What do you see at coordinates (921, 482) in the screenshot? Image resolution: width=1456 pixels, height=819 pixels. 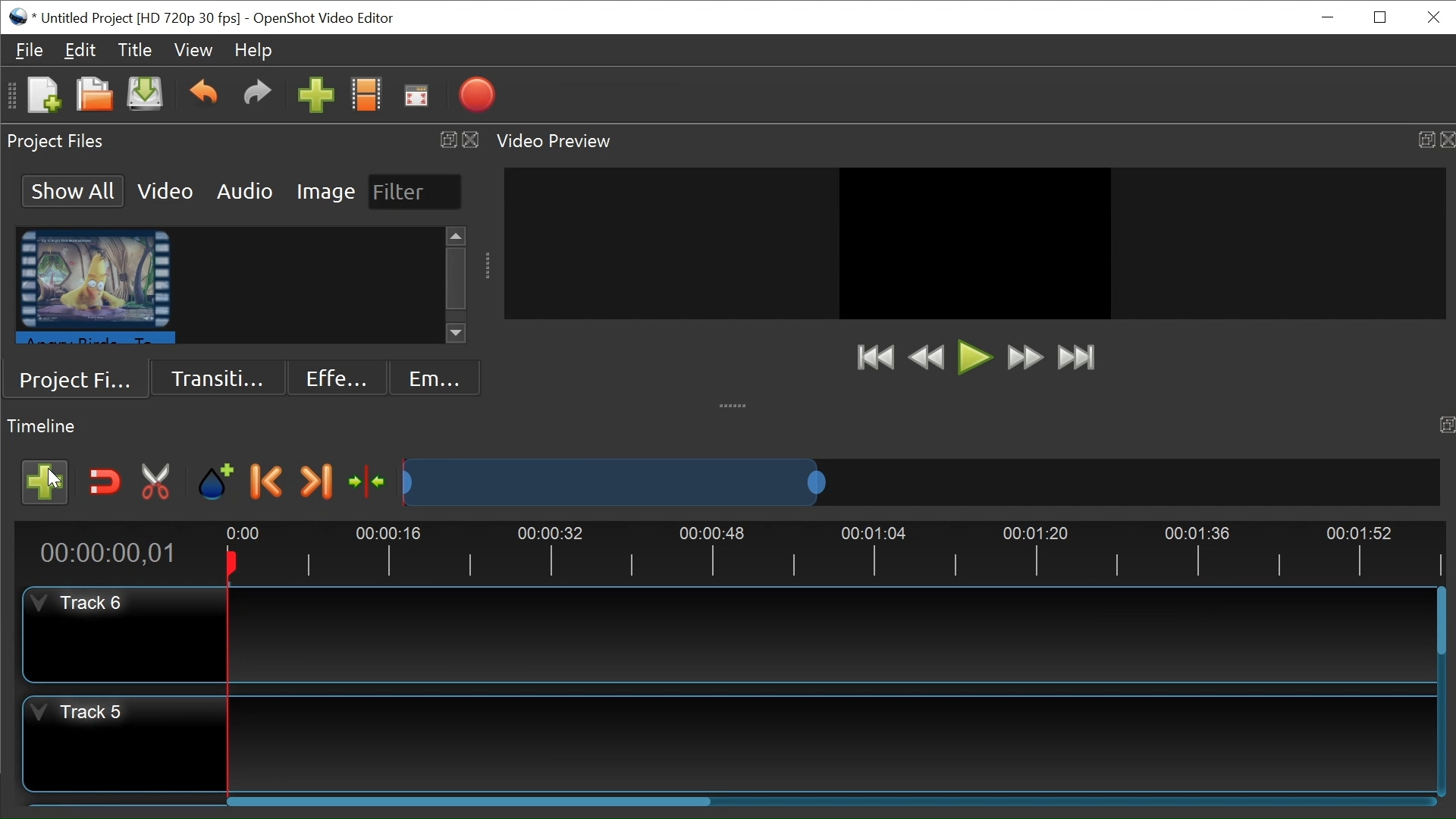 I see `Zoom Slider` at bounding box center [921, 482].